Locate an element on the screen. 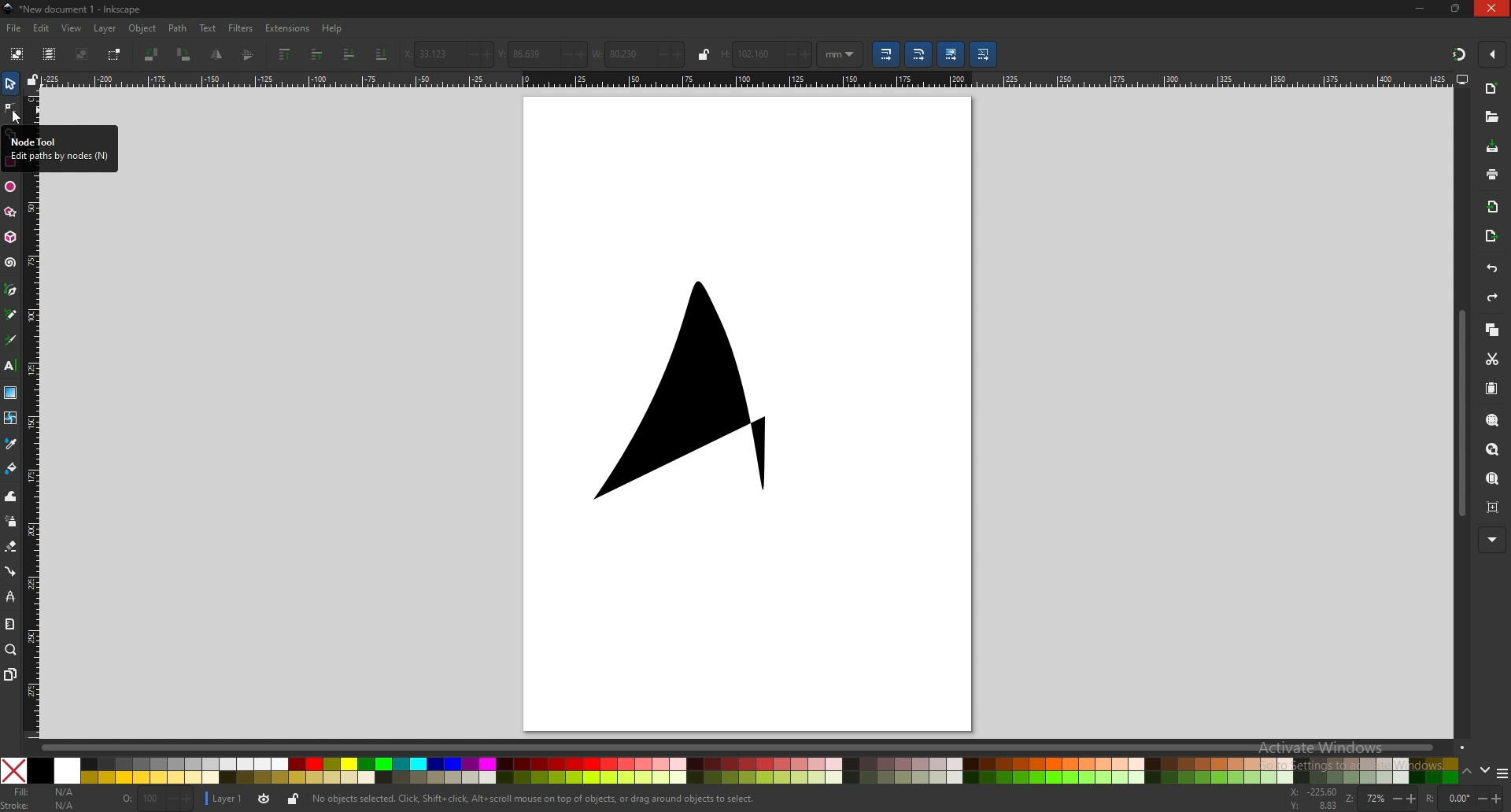  paste is located at coordinates (1492, 389).